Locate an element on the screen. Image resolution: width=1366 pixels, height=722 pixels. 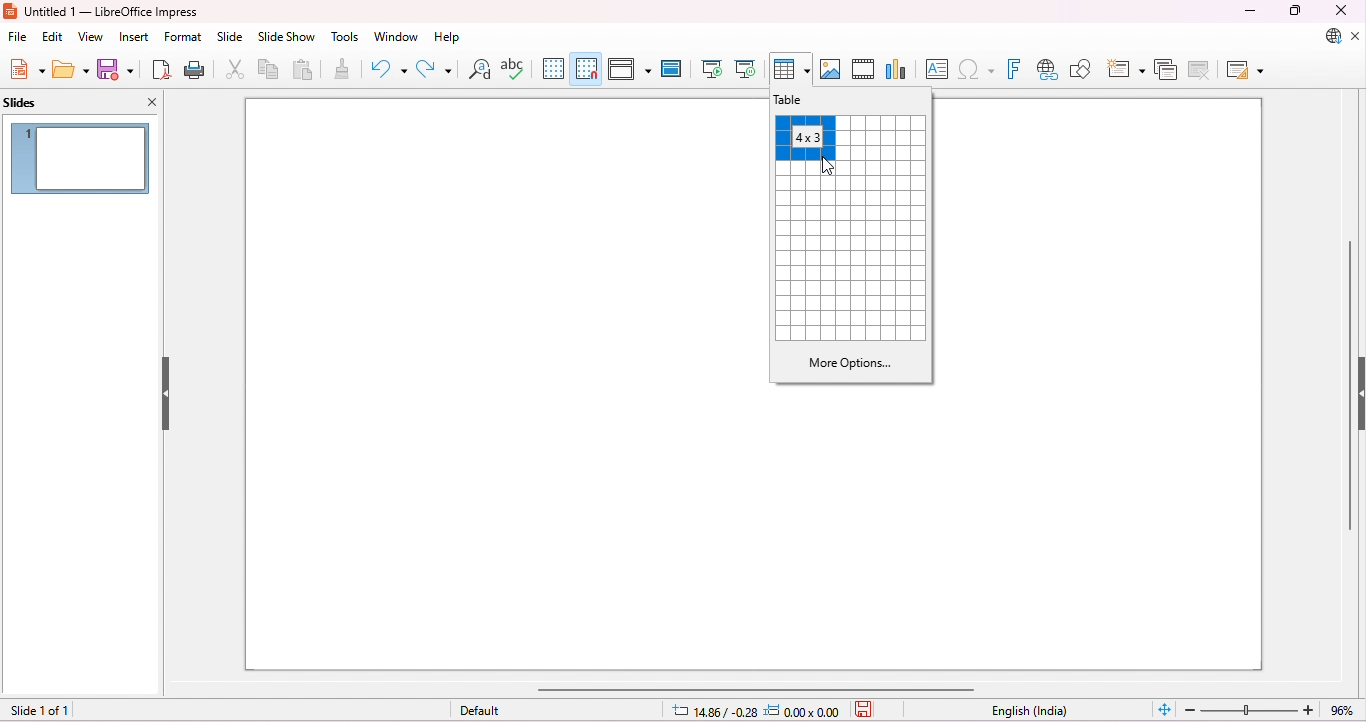
hide/show is located at coordinates (165, 394).